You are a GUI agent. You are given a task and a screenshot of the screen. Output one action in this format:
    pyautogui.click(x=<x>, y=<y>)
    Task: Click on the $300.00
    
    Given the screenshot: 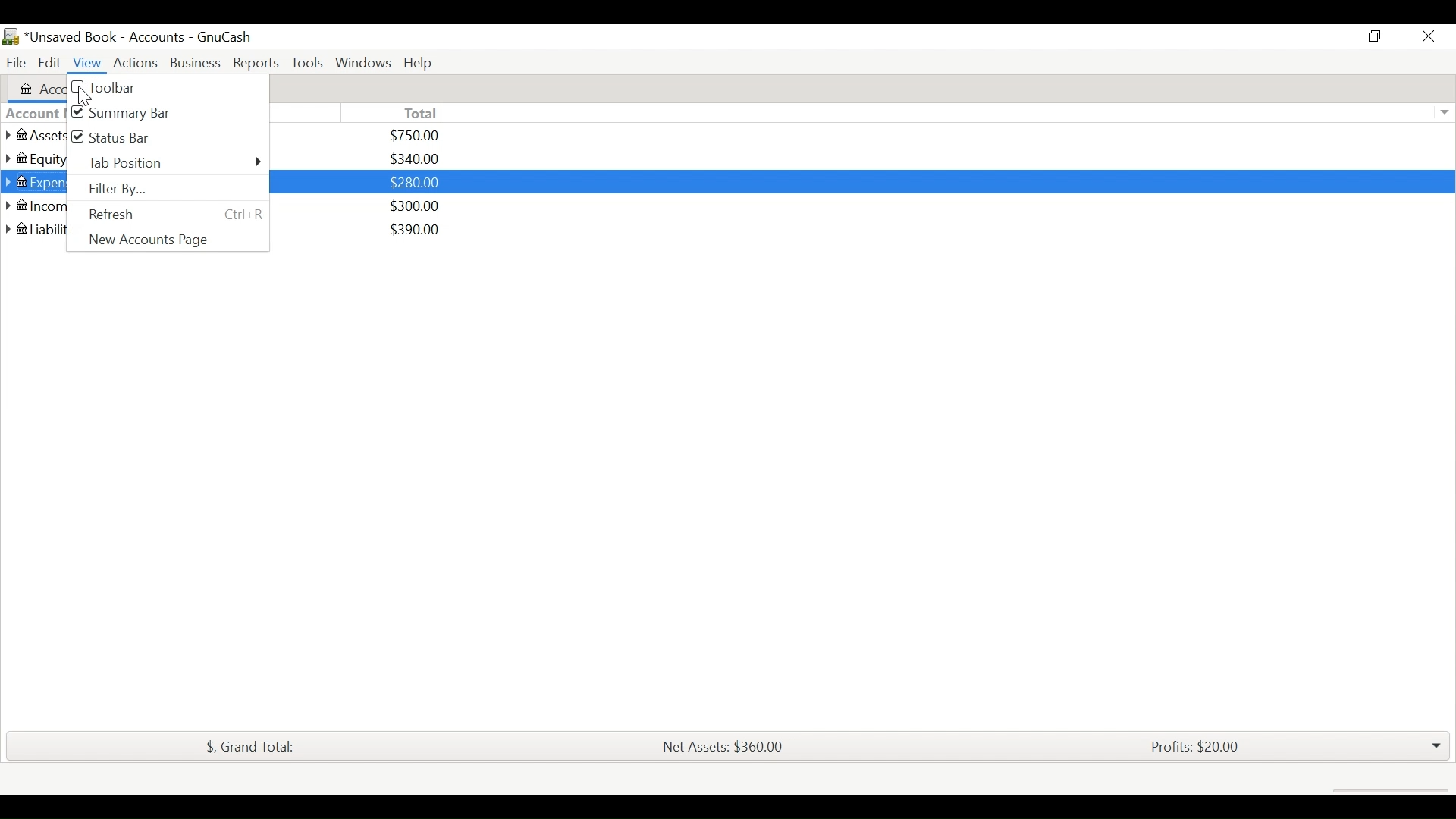 What is the action you would take?
    pyautogui.click(x=416, y=206)
    